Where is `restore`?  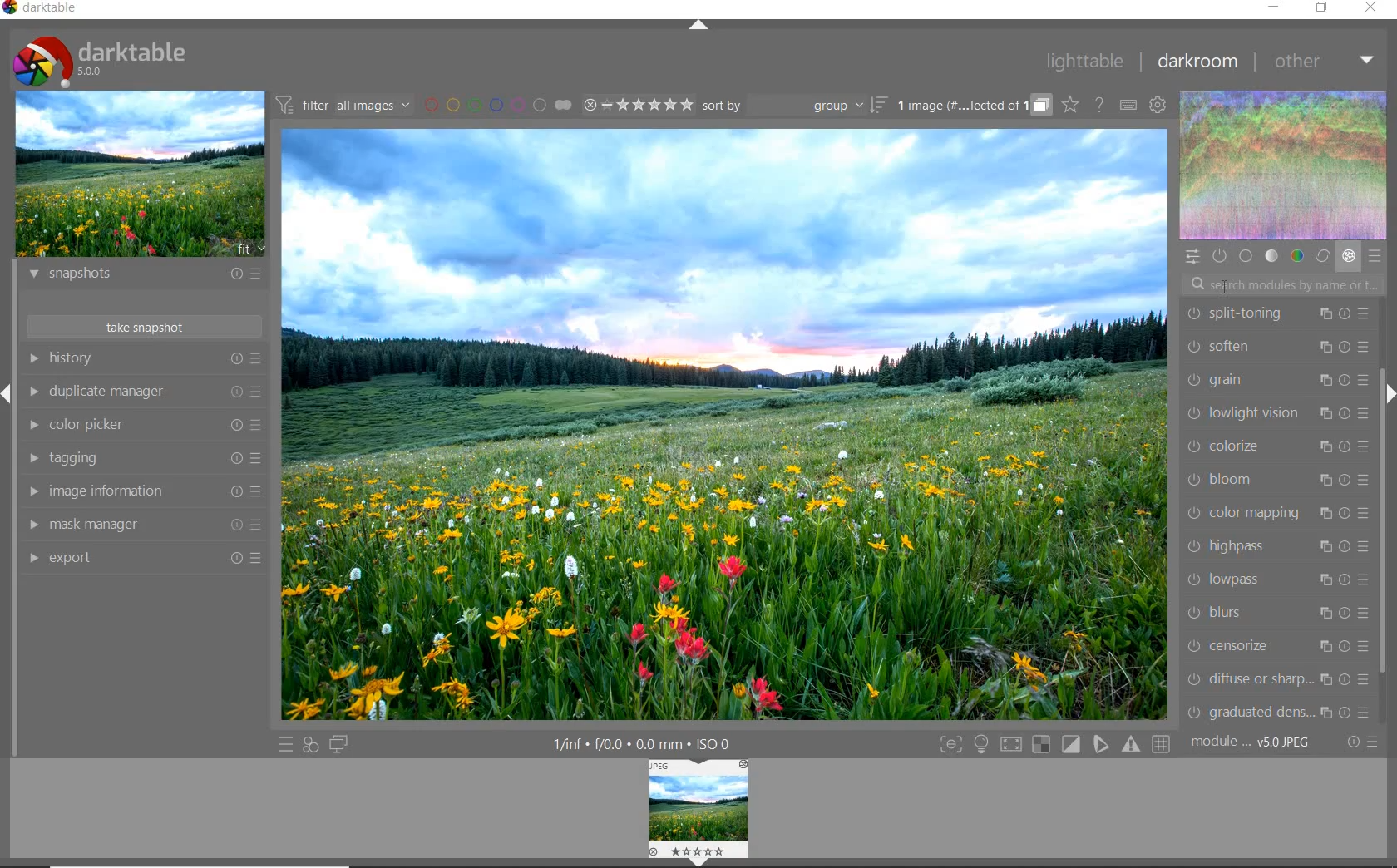
restore is located at coordinates (1324, 8).